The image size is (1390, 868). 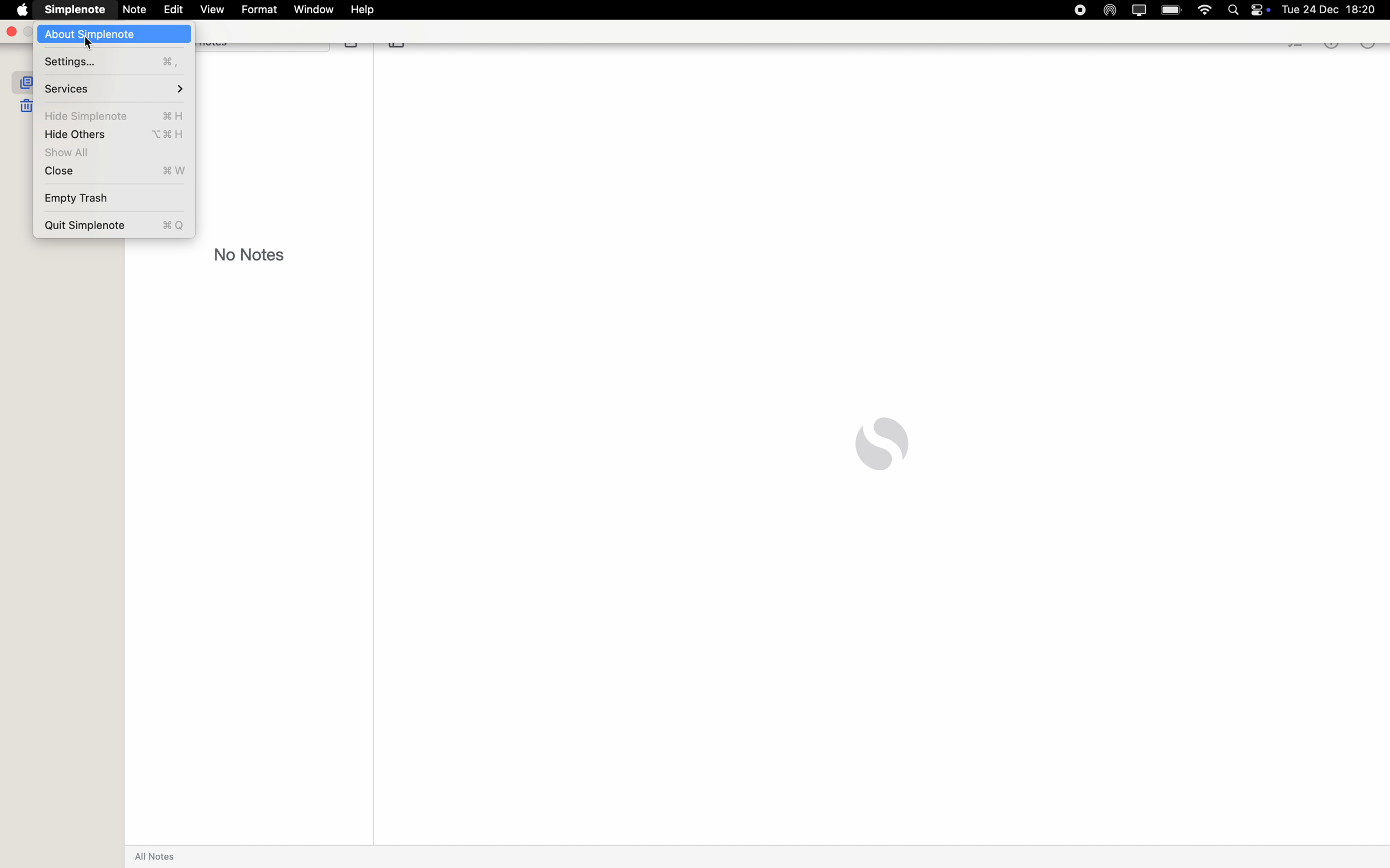 What do you see at coordinates (172, 10) in the screenshot?
I see `edit` at bounding box center [172, 10].